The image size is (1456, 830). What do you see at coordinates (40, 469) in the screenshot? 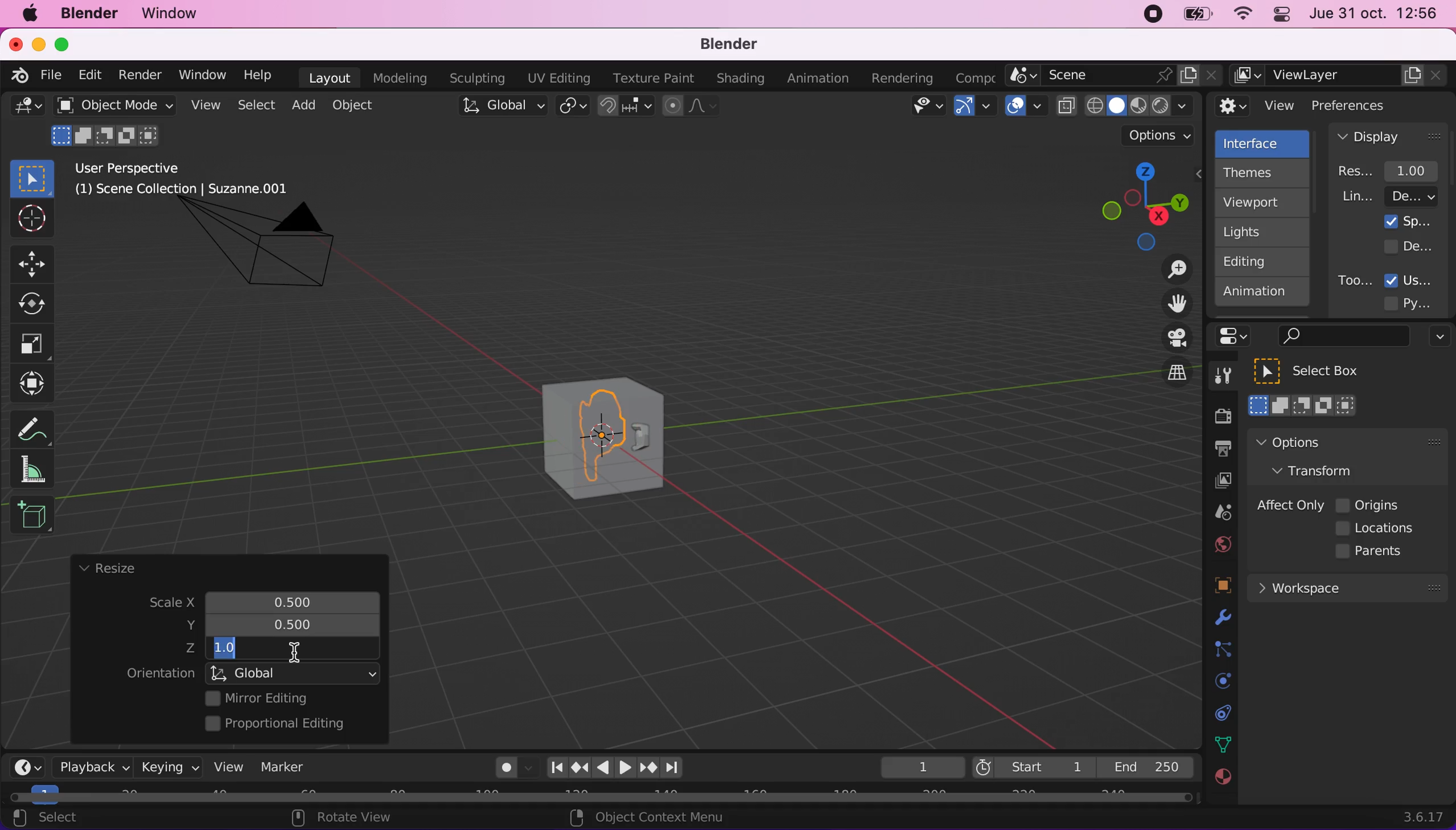
I see `measure` at bounding box center [40, 469].